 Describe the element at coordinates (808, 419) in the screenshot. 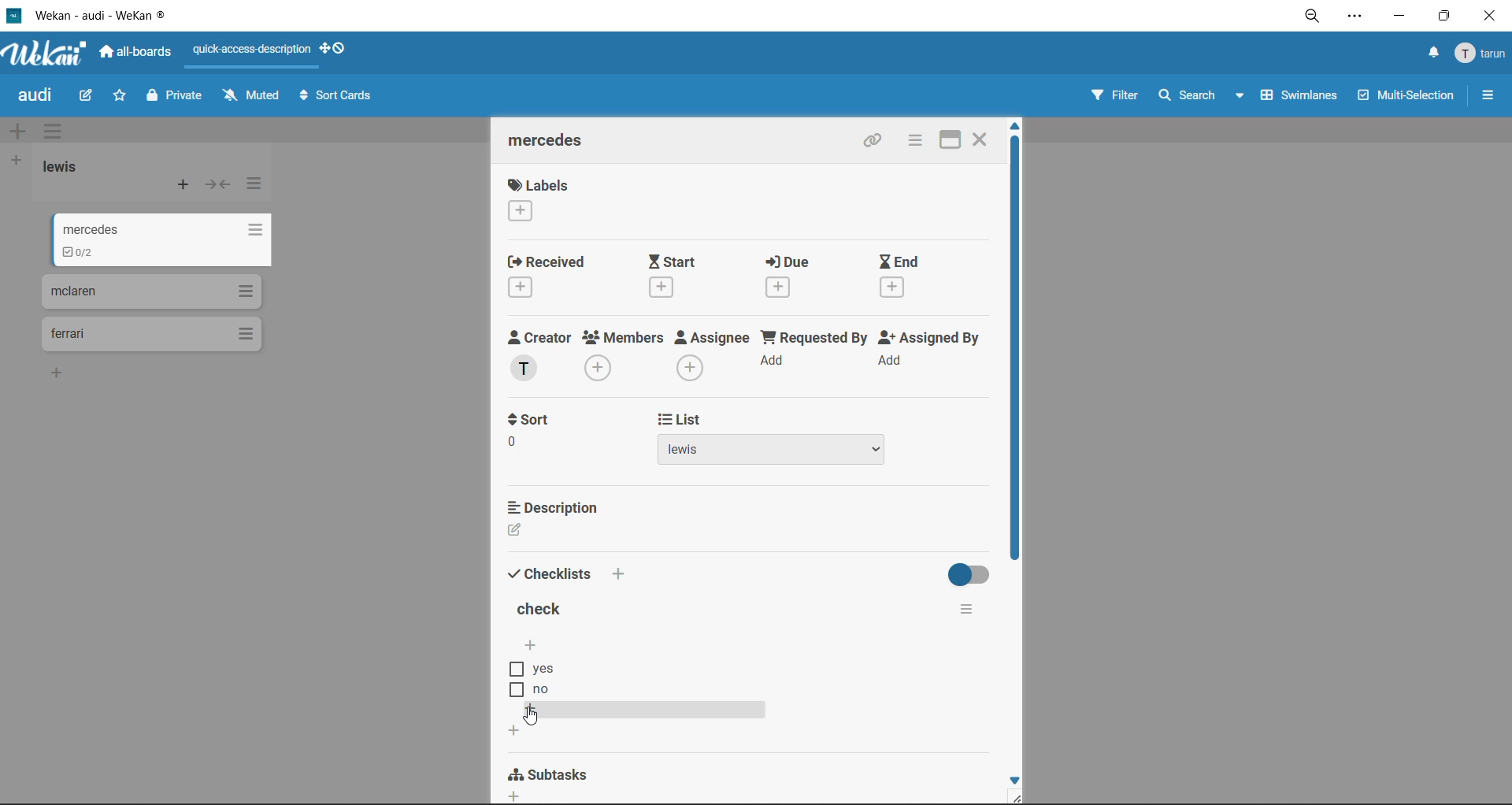

I see `list` at that location.